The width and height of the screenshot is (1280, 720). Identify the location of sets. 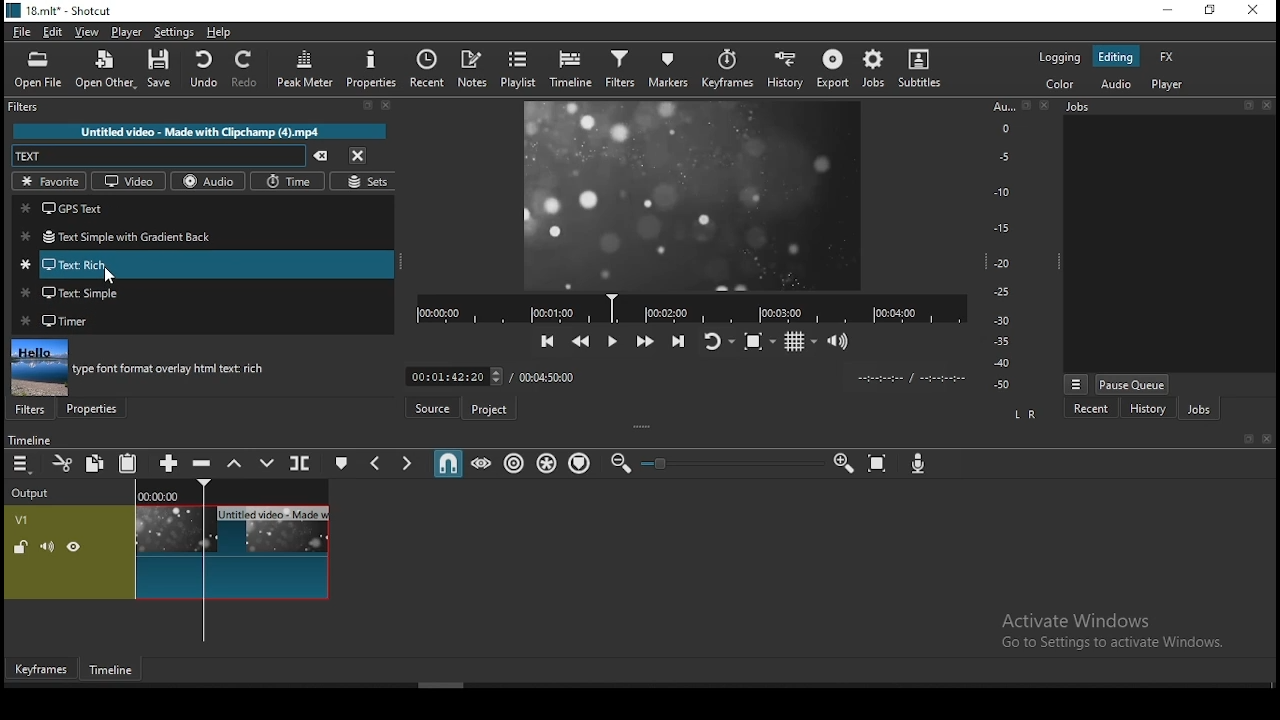
(367, 182).